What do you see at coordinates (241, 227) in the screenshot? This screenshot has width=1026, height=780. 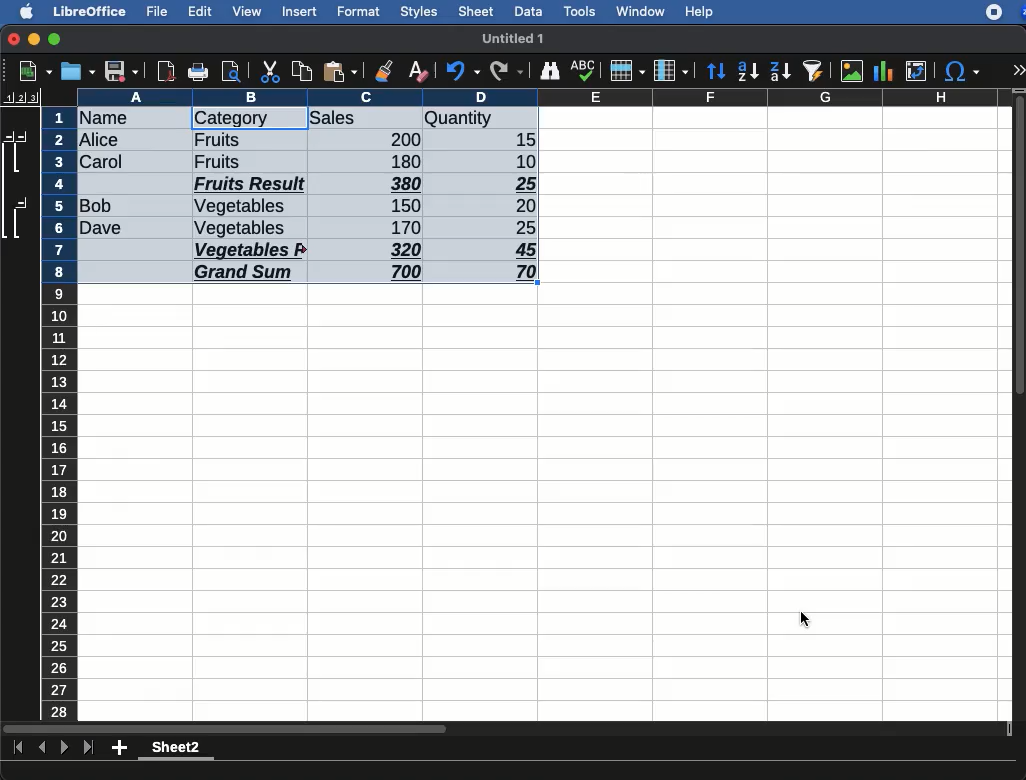 I see `Vegetables` at bounding box center [241, 227].